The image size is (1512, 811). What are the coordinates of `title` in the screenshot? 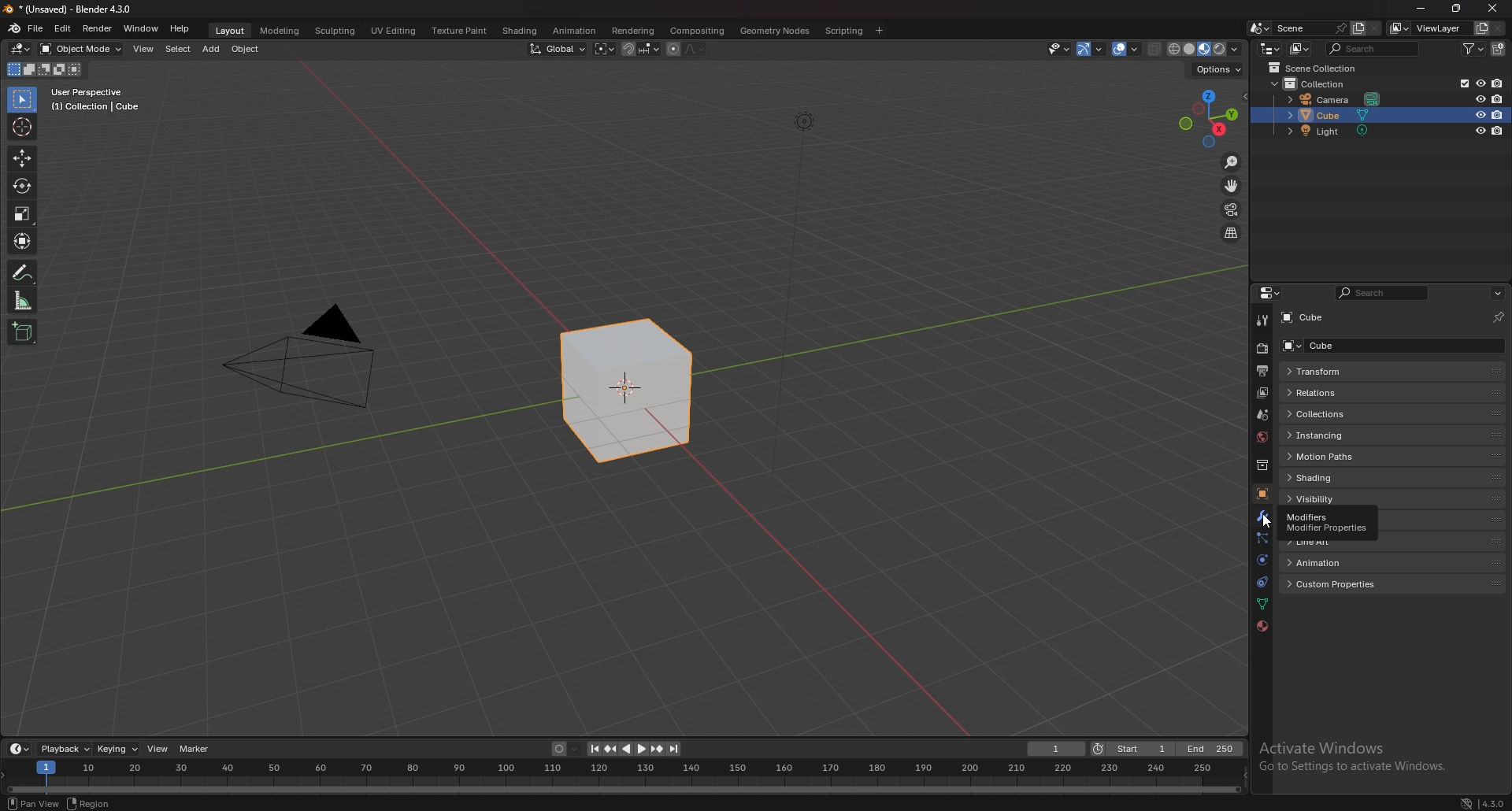 It's located at (68, 9).